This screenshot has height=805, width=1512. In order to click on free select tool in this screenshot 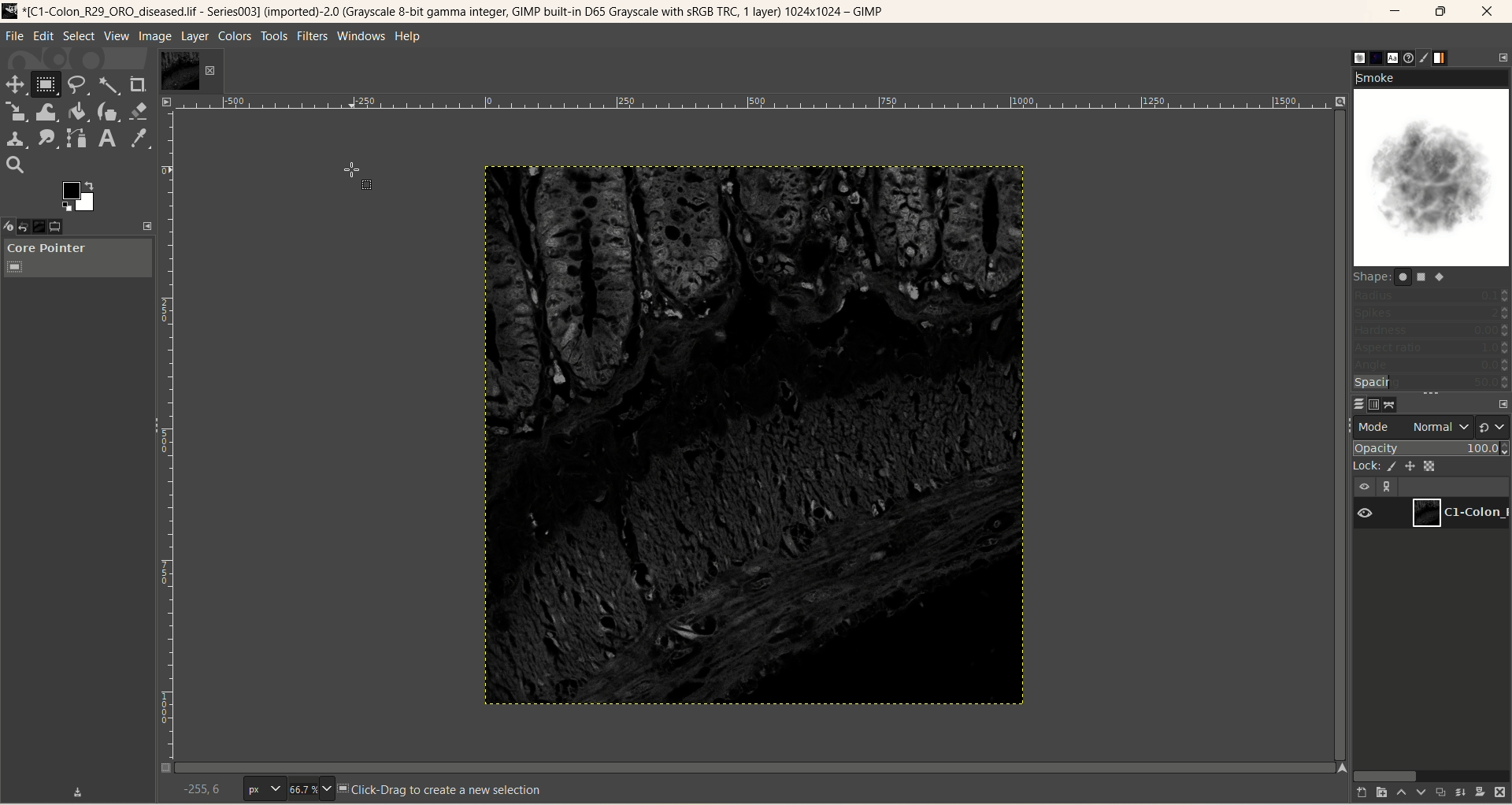, I will do `click(76, 84)`.